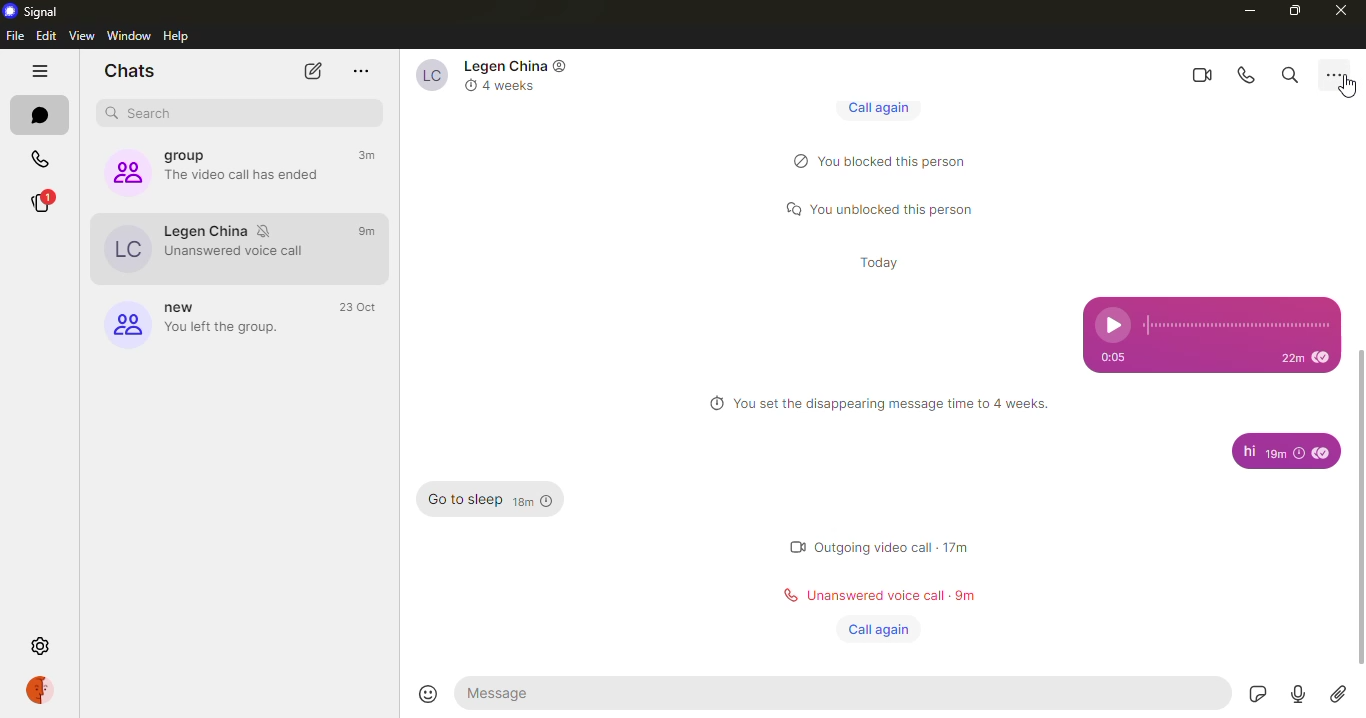 The width and height of the screenshot is (1366, 718). Describe the element at coordinates (46, 35) in the screenshot. I see `edit` at that location.